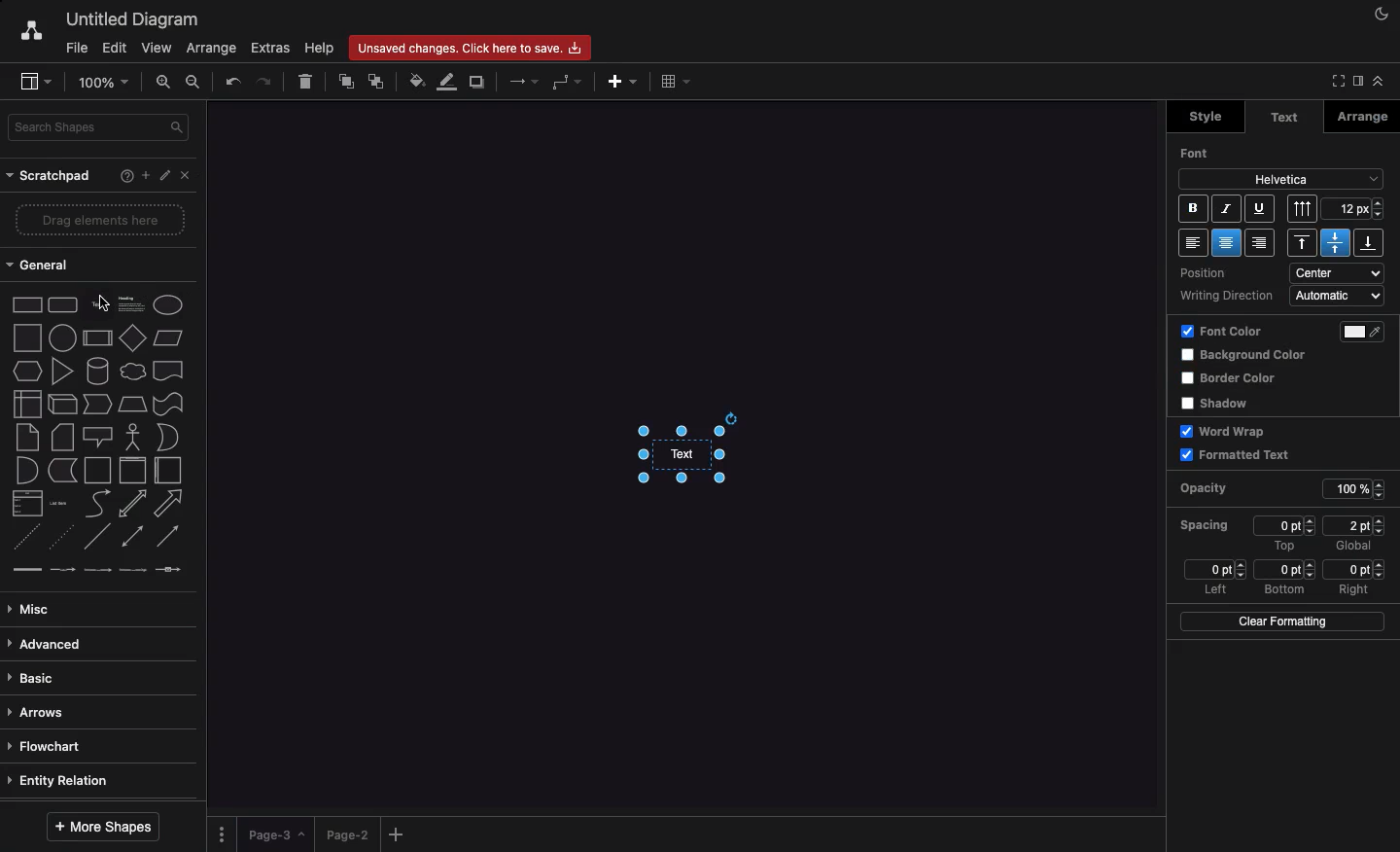  What do you see at coordinates (97, 404) in the screenshot?
I see `step` at bounding box center [97, 404].